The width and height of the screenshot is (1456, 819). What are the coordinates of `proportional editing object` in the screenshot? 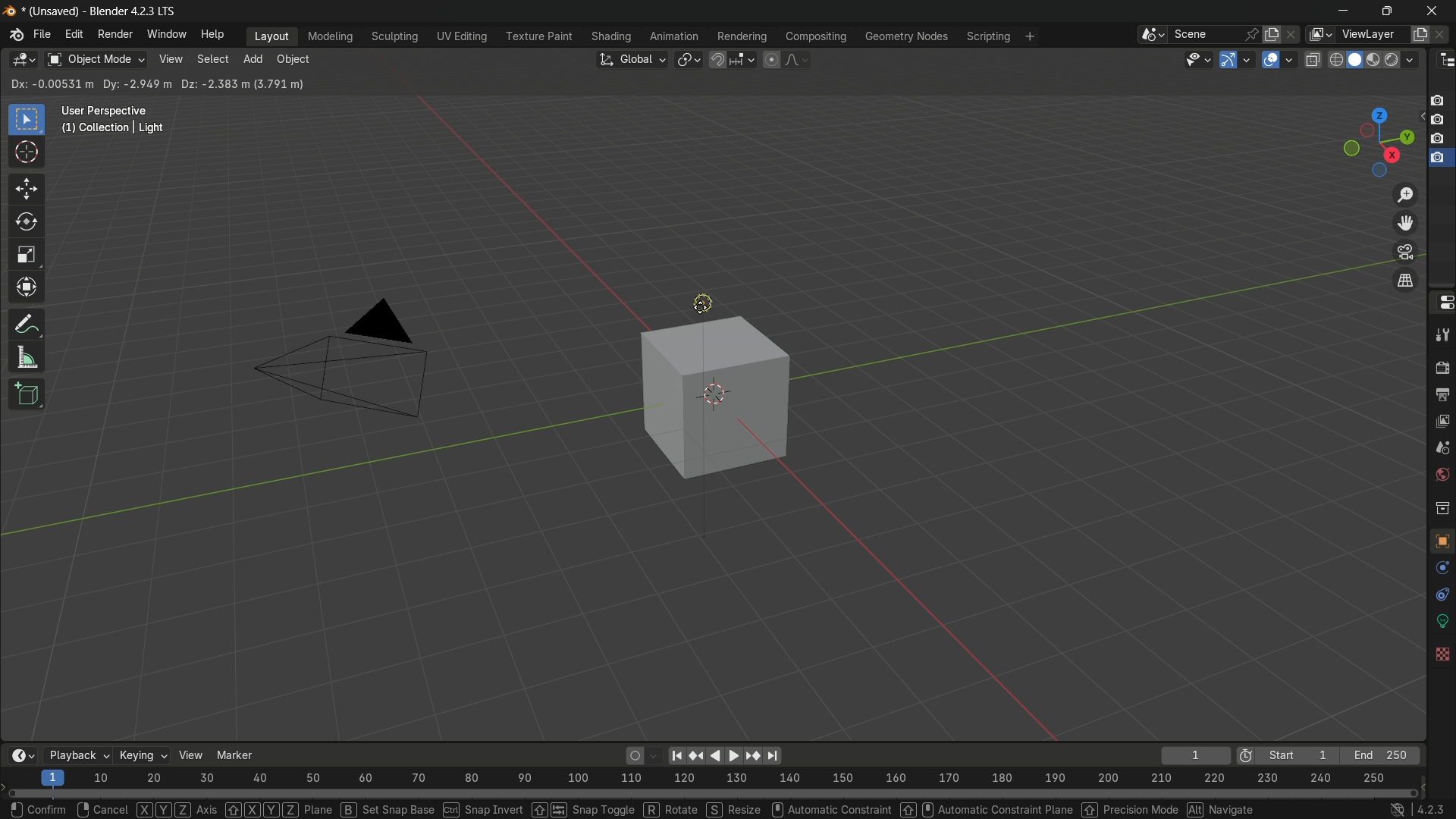 It's located at (771, 60).